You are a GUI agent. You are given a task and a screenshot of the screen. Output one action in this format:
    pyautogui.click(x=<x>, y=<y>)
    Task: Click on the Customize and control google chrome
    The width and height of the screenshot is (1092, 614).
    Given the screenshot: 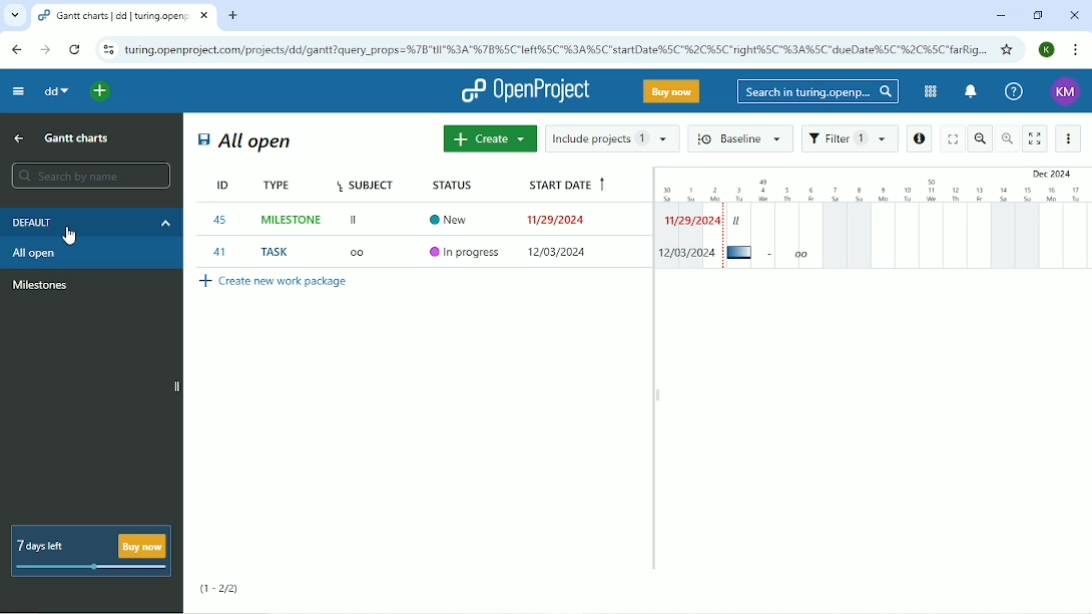 What is the action you would take?
    pyautogui.click(x=1072, y=49)
    